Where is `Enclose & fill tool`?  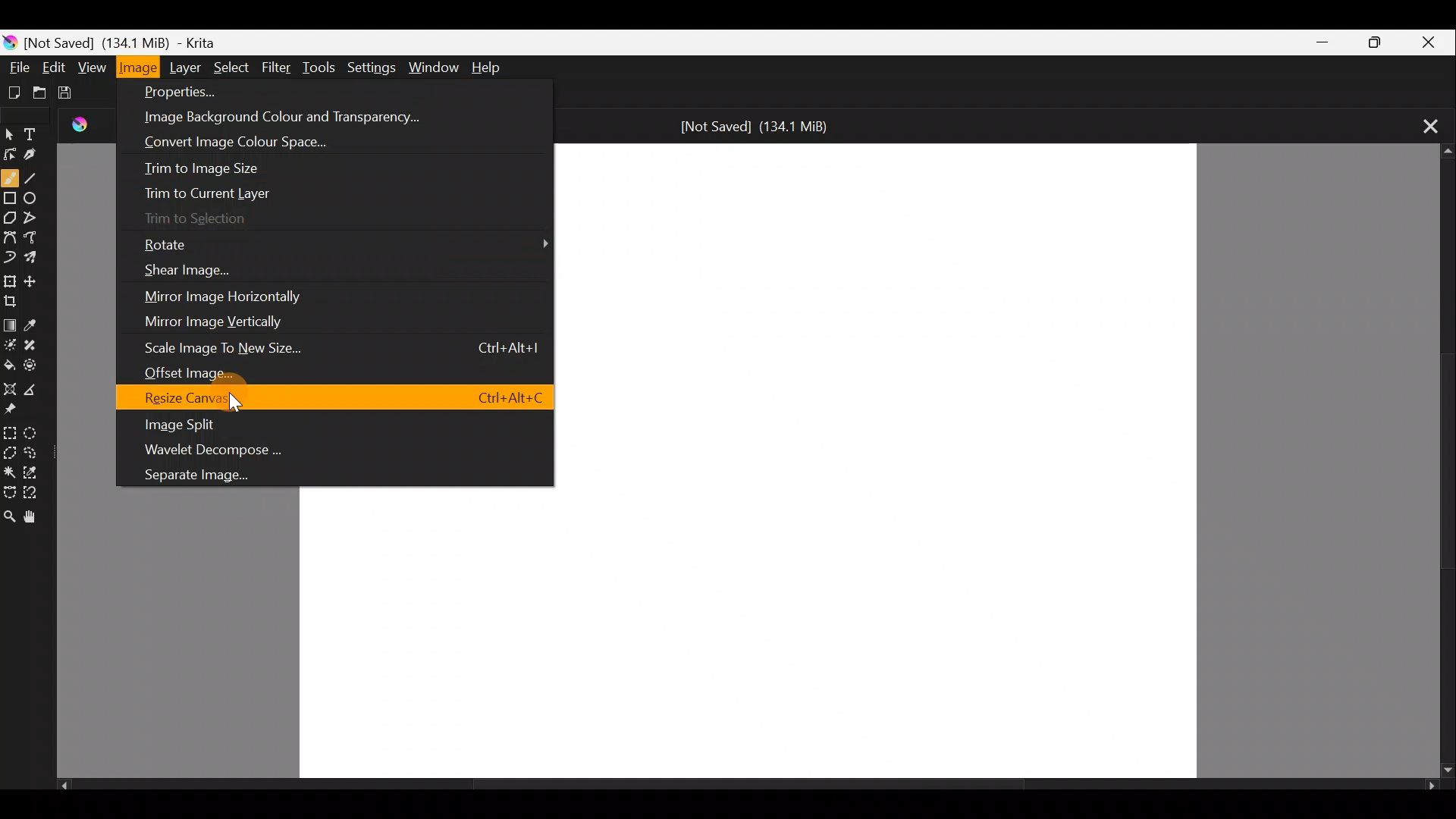 Enclose & fill tool is located at coordinates (37, 365).